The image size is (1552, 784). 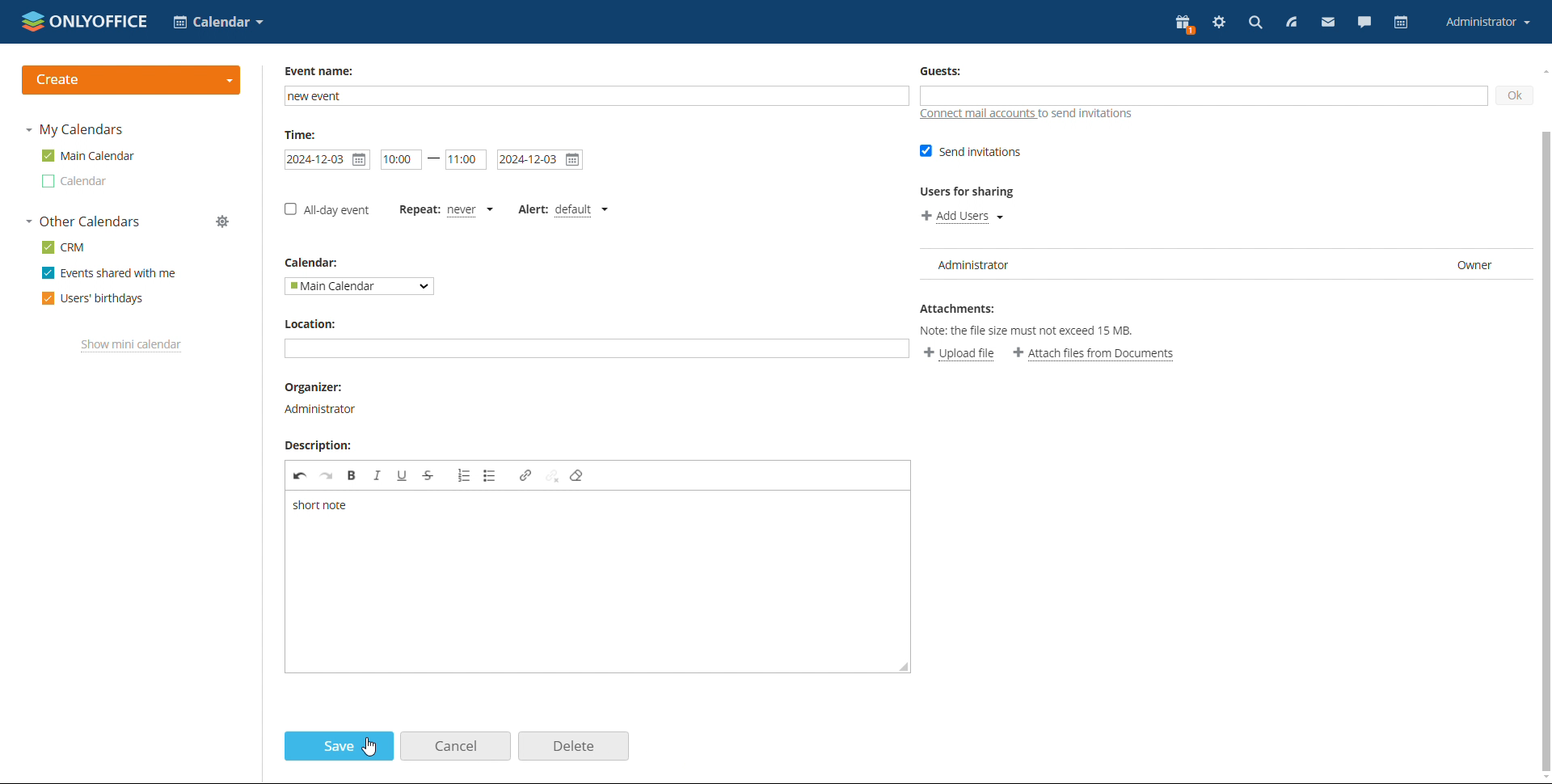 What do you see at coordinates (85, 20) in the screenshot?
I see `logo` at bounding box center [85, 20].